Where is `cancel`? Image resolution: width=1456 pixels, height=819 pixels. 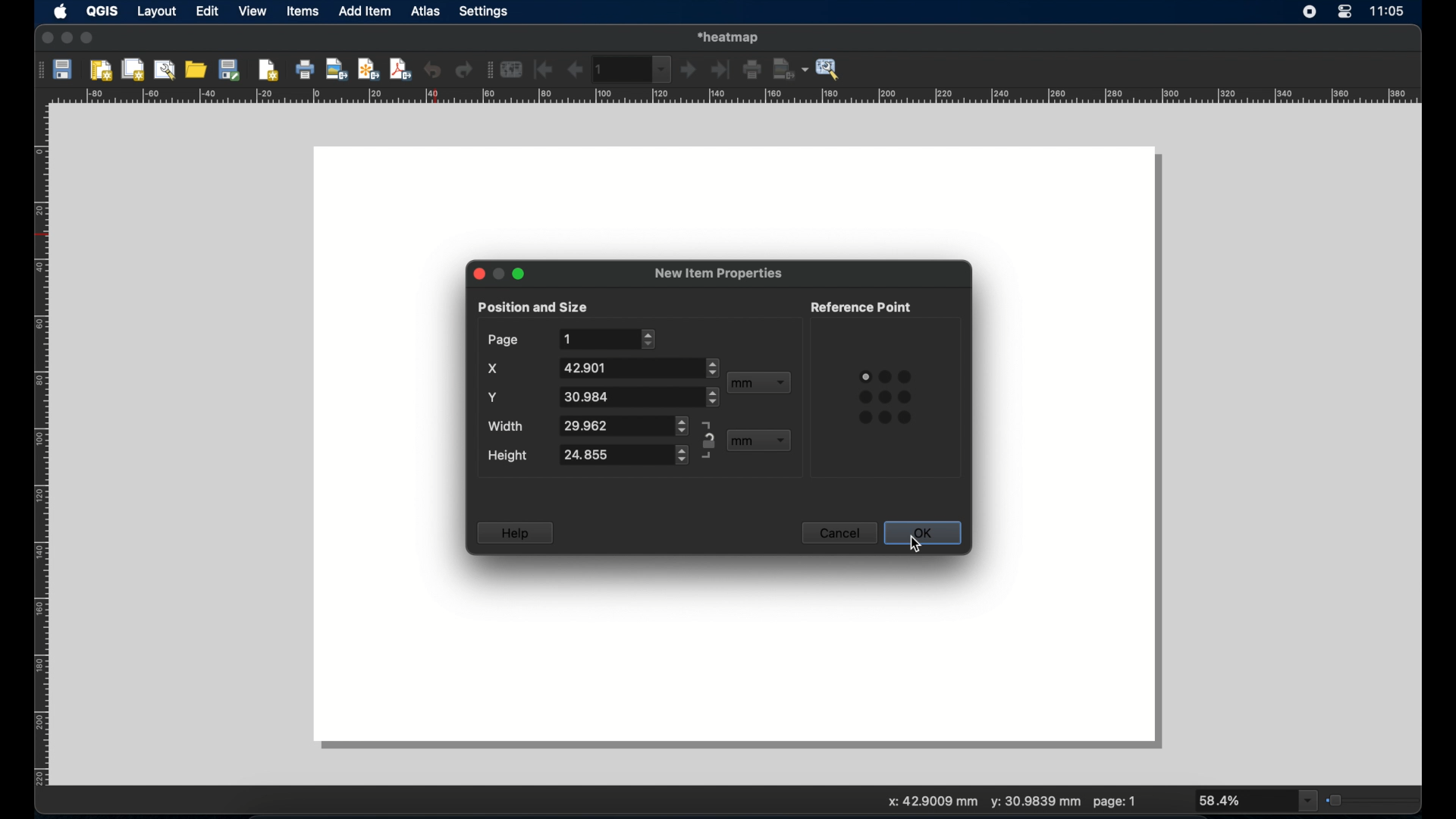
cancel is located at coordinates (841, 535).